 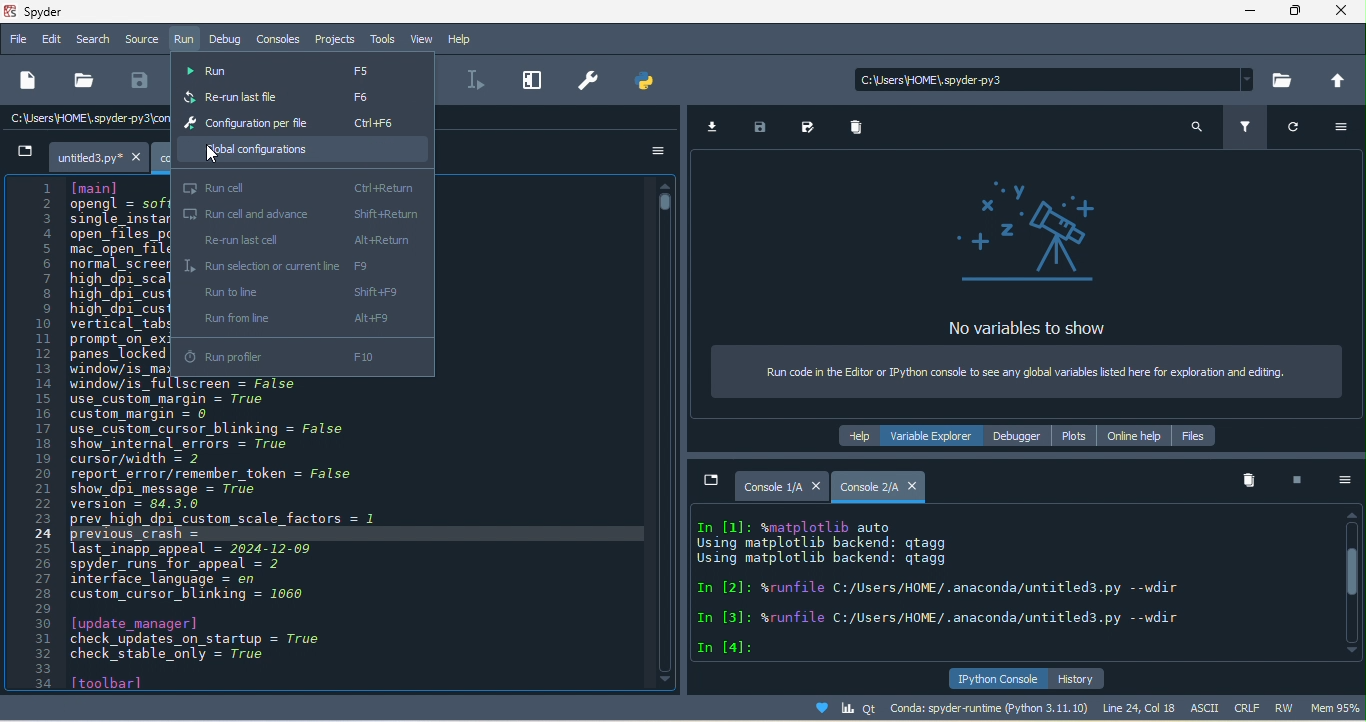 What do you see at coordinates (294, 294) in the screenshot?
I see `run to line` at bounding box center [294, 294].